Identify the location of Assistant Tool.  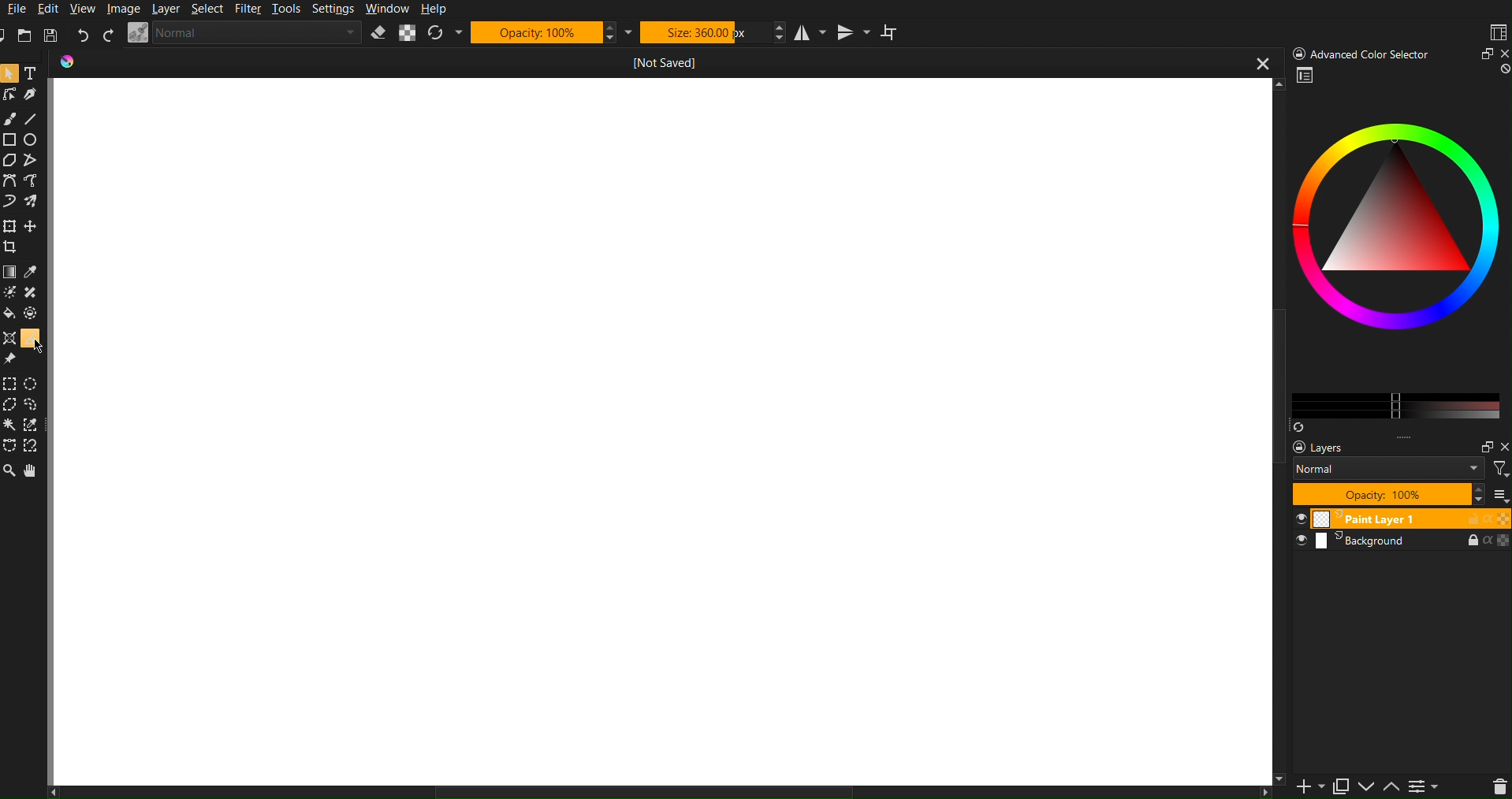
(9, 336).